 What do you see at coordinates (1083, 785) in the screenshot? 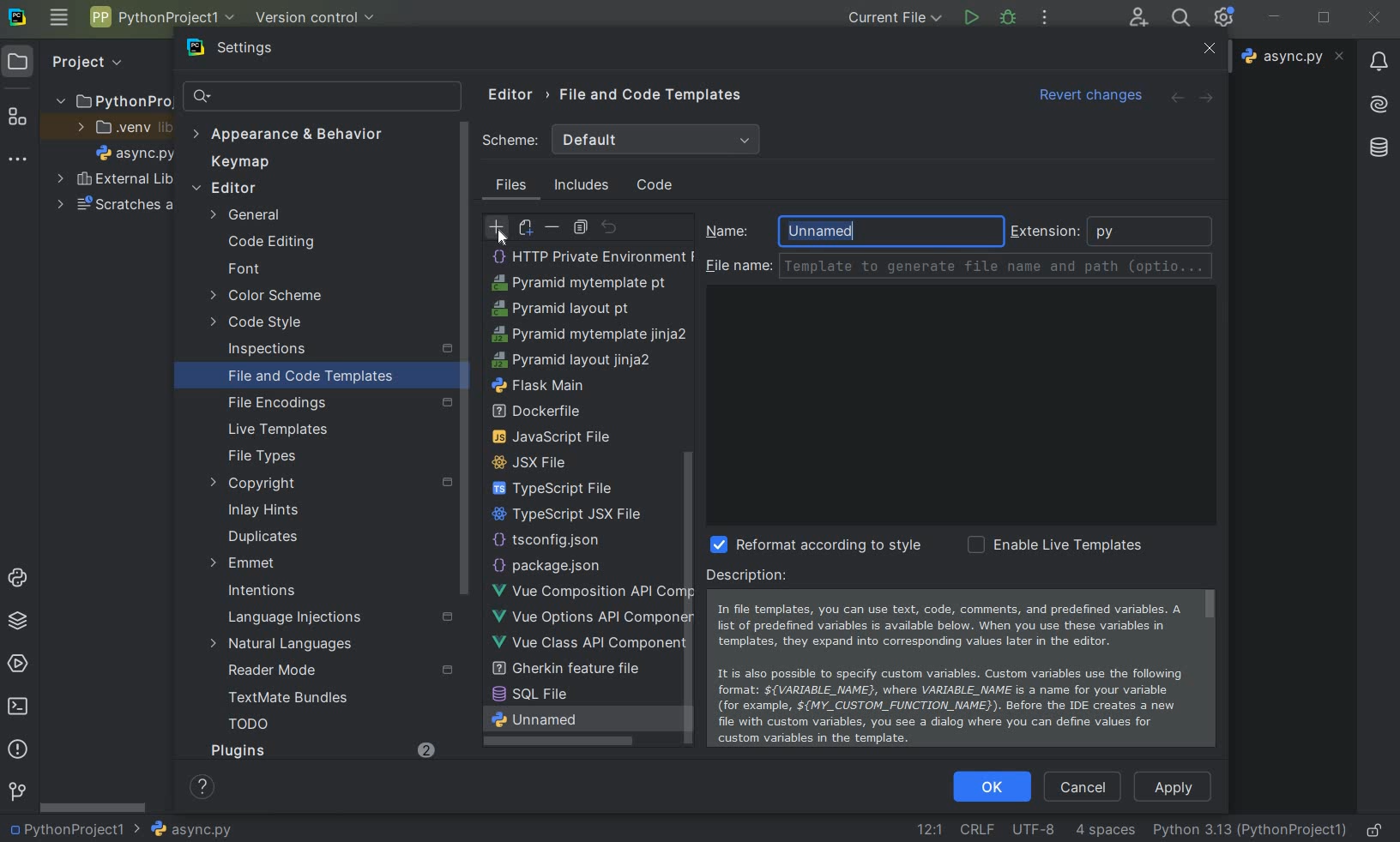
I see `cancel` at bounding box center [1083, 785].